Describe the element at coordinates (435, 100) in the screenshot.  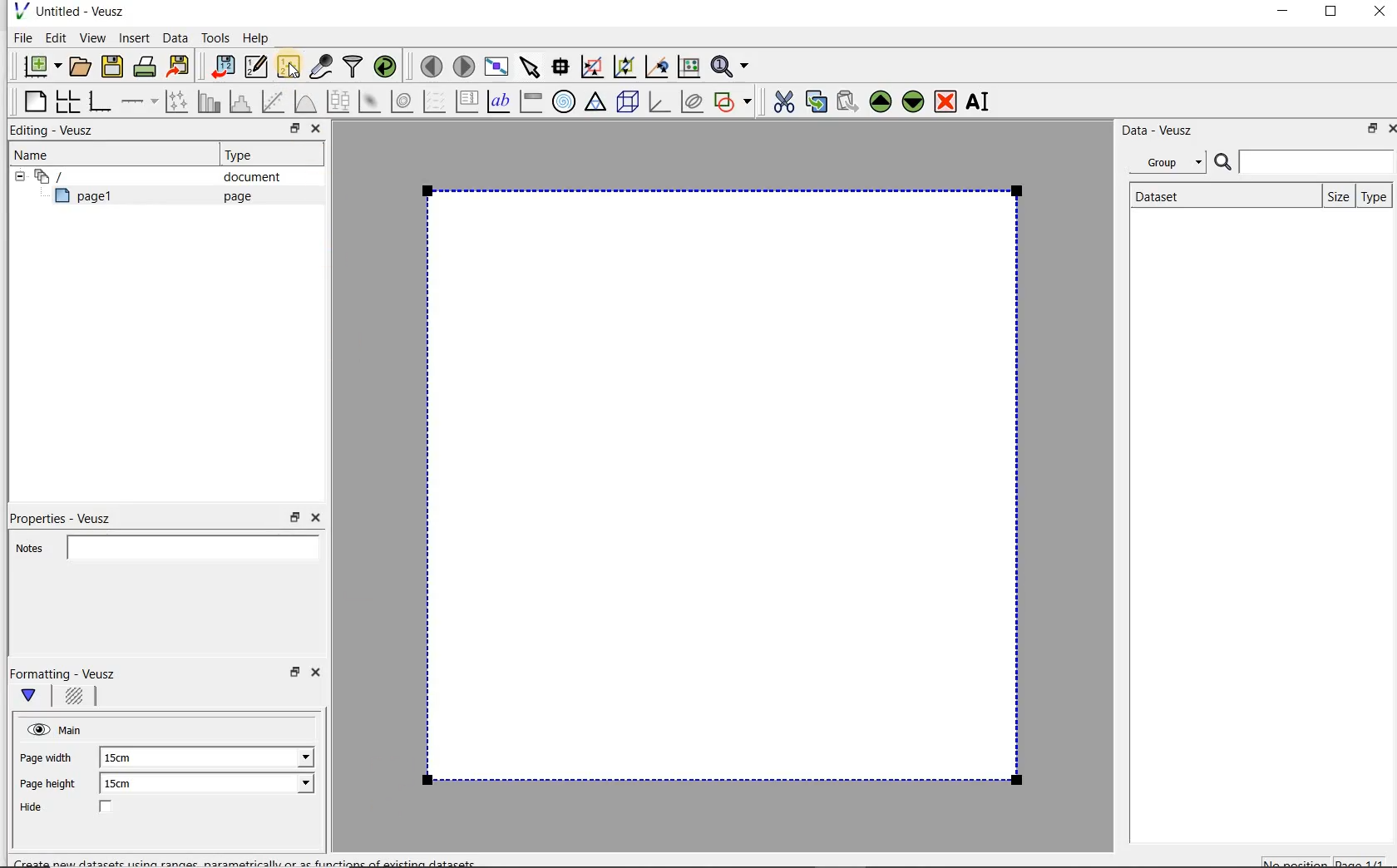
I see `plot a vector field` at that location.